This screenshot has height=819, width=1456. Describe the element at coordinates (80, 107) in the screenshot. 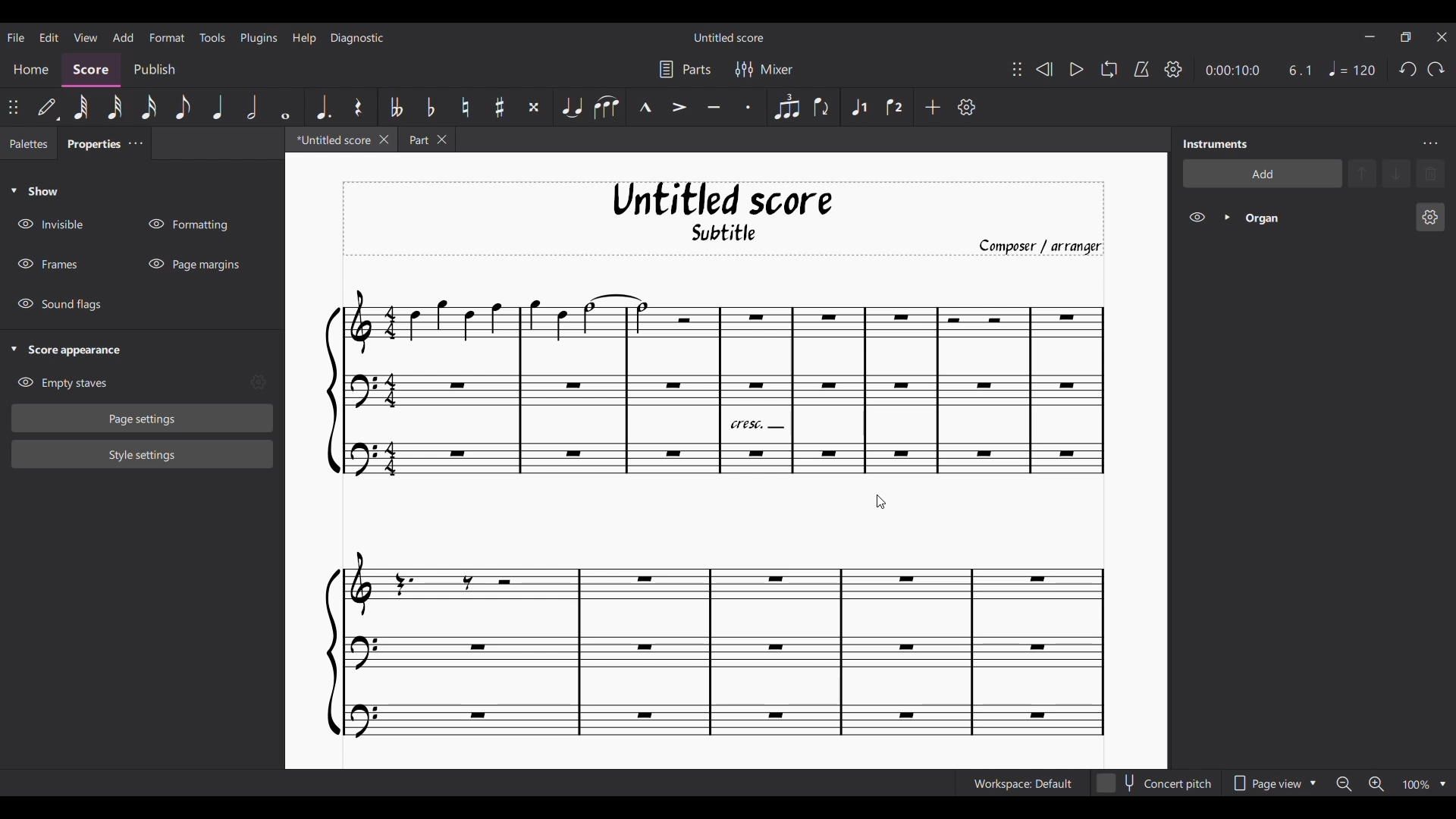

I see `64th note` at that location.